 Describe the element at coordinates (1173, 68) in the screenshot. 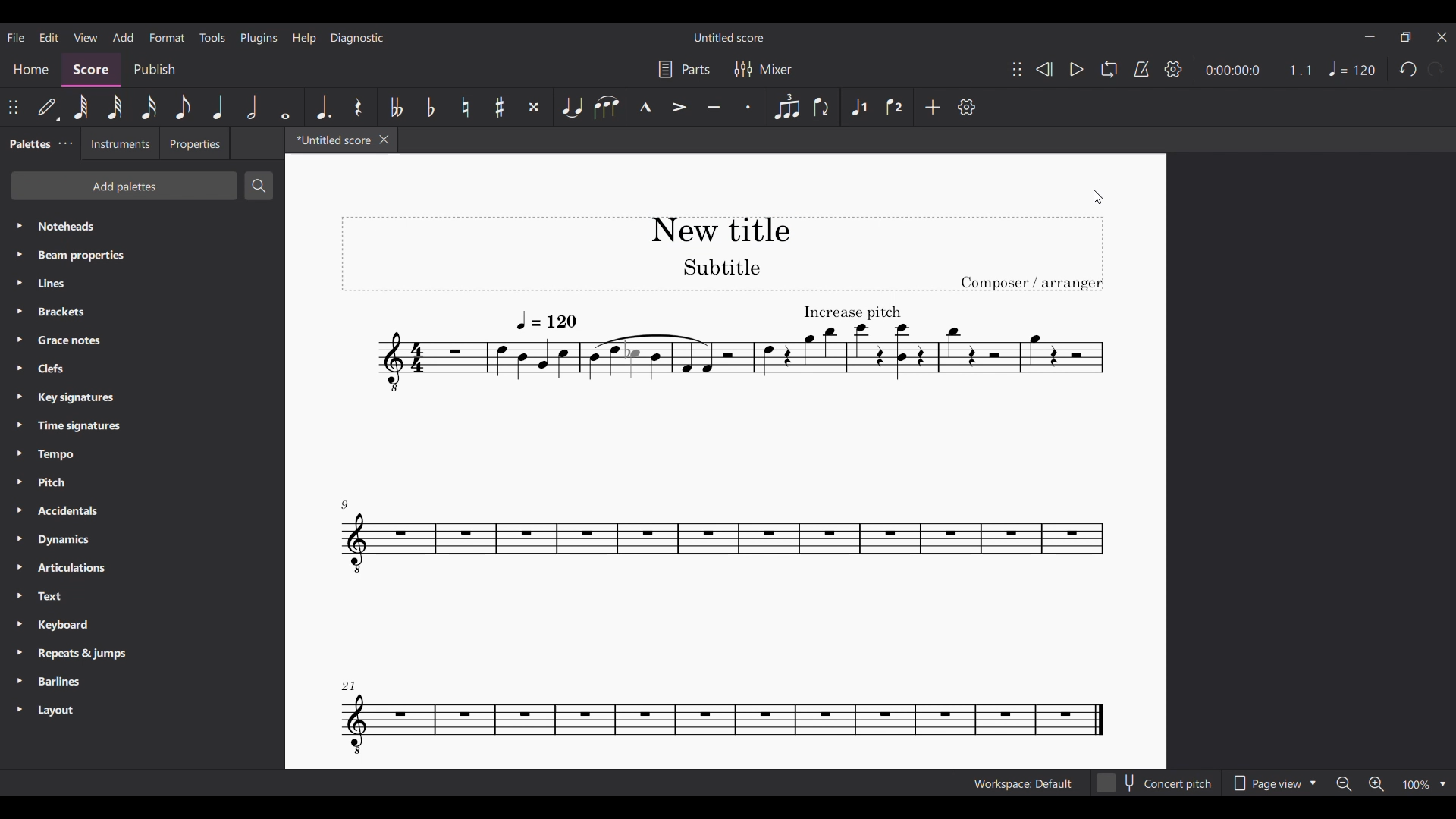

I see `Settings` at that location.